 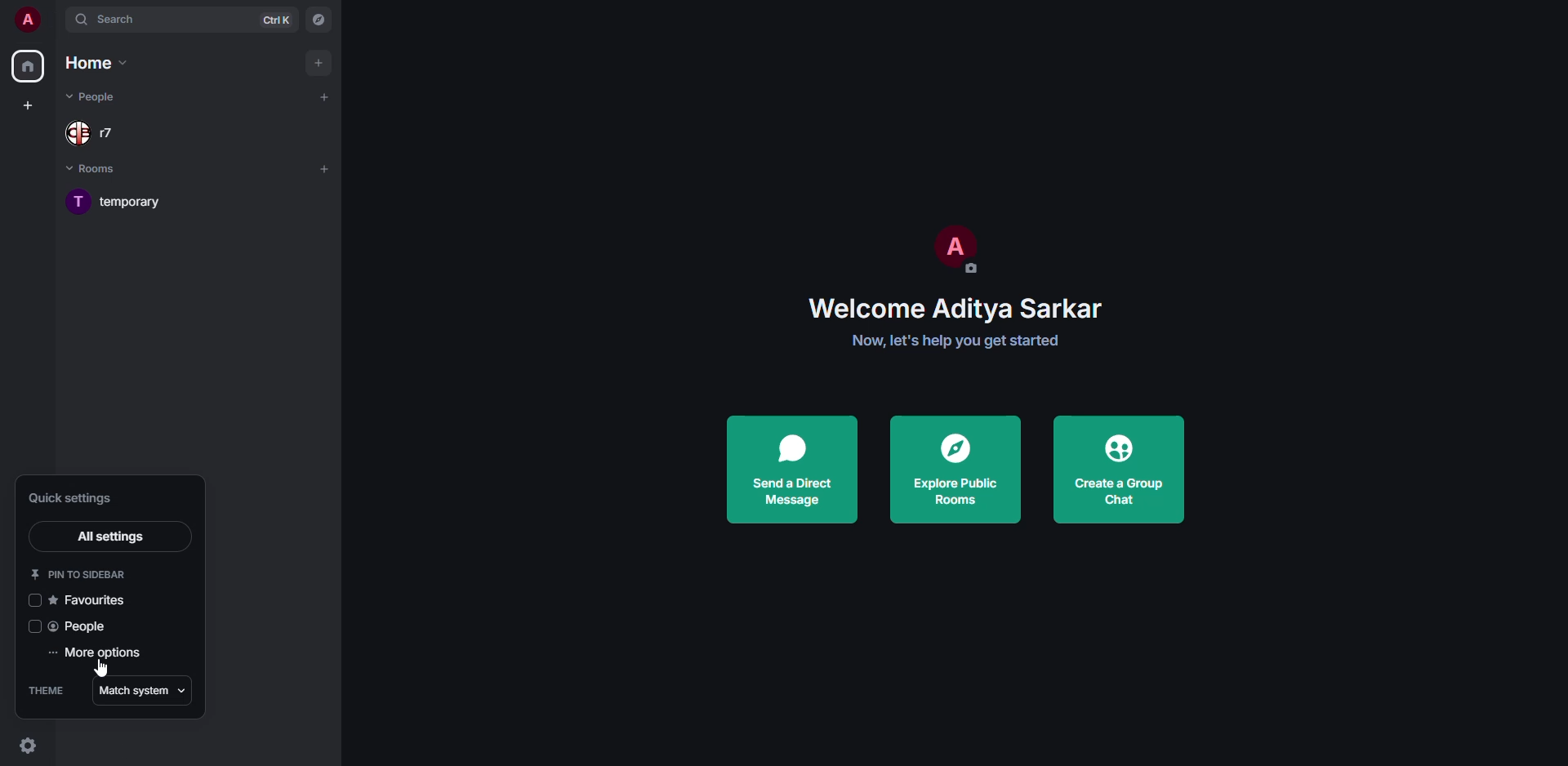 I want to click on rooms, so click(x=103, y=171).